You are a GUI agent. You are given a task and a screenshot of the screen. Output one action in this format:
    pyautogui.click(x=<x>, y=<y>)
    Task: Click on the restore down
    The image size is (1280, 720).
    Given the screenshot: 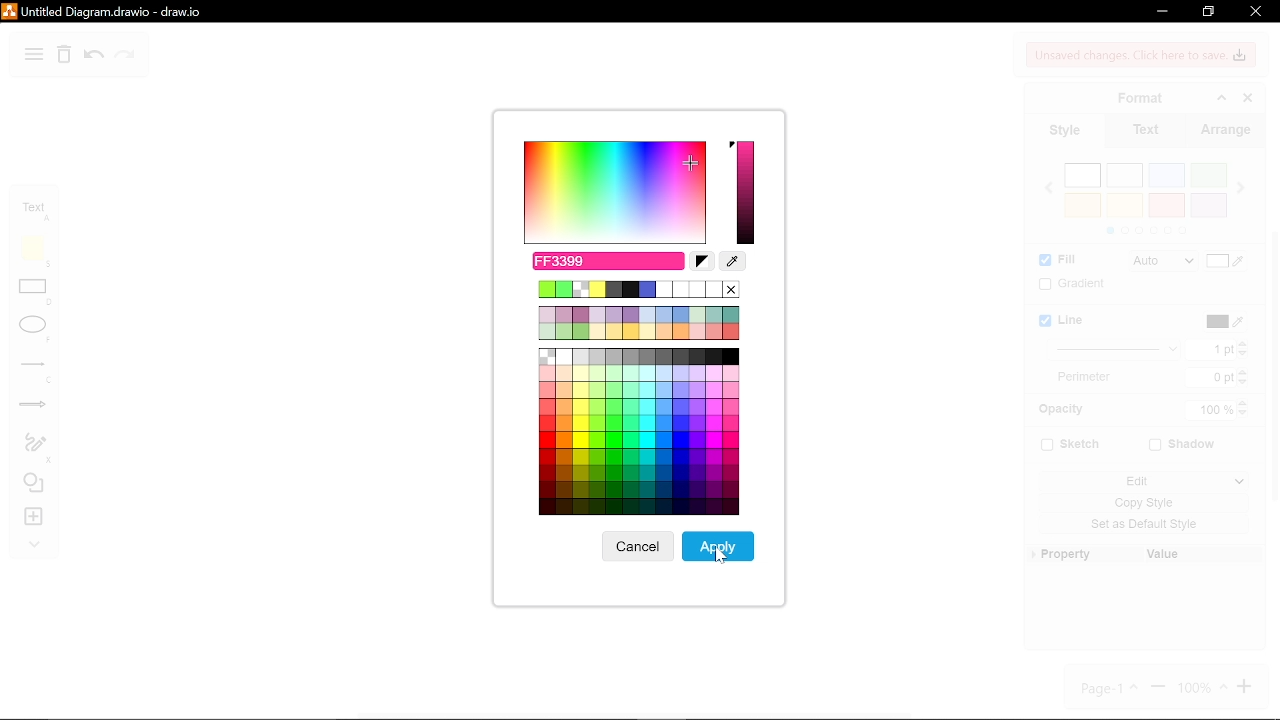 What is the action you would take?
    pyautogui.click(x=1210, y=12)
    